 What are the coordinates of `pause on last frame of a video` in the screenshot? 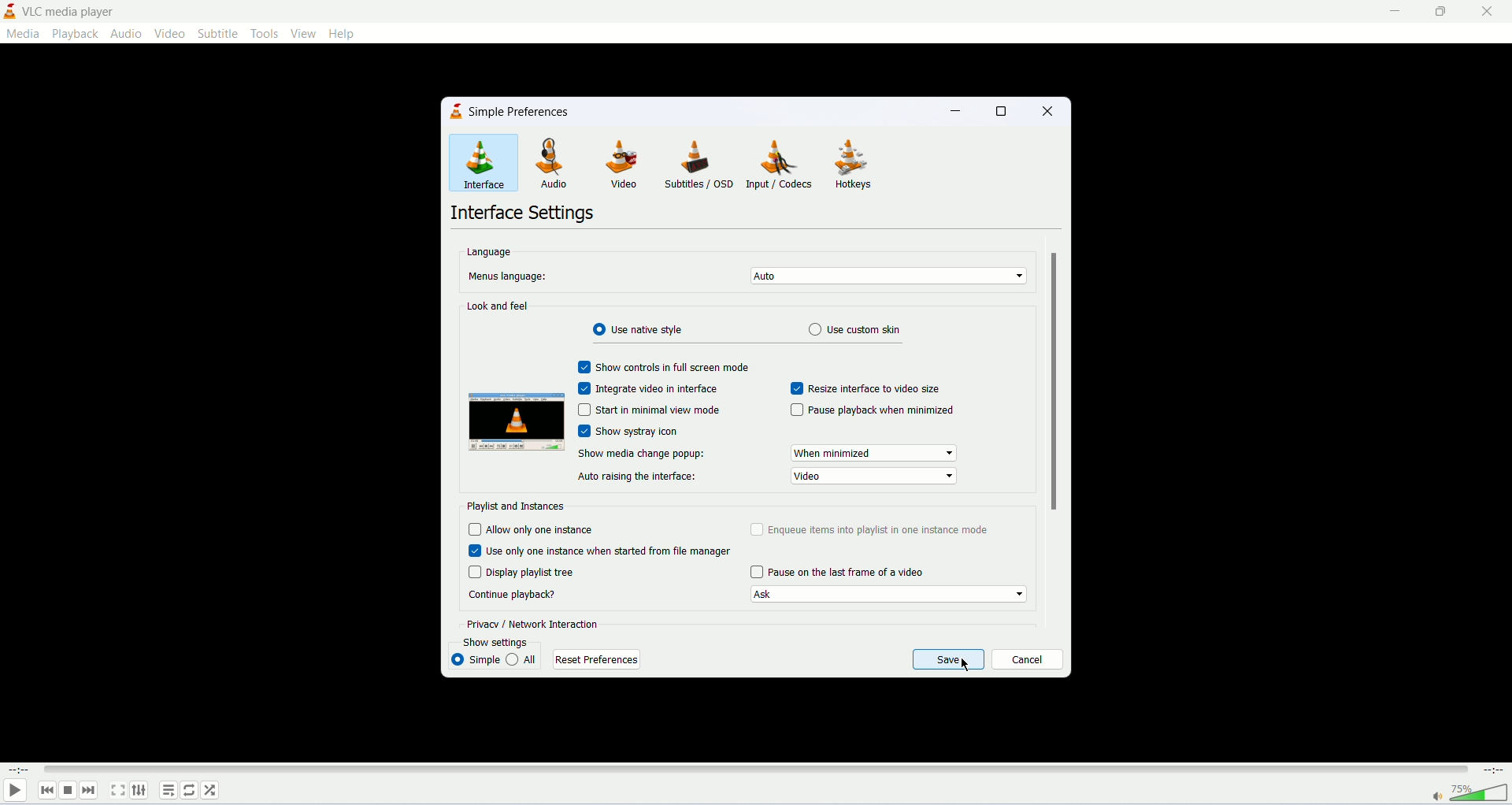 It's located at (836, 572).